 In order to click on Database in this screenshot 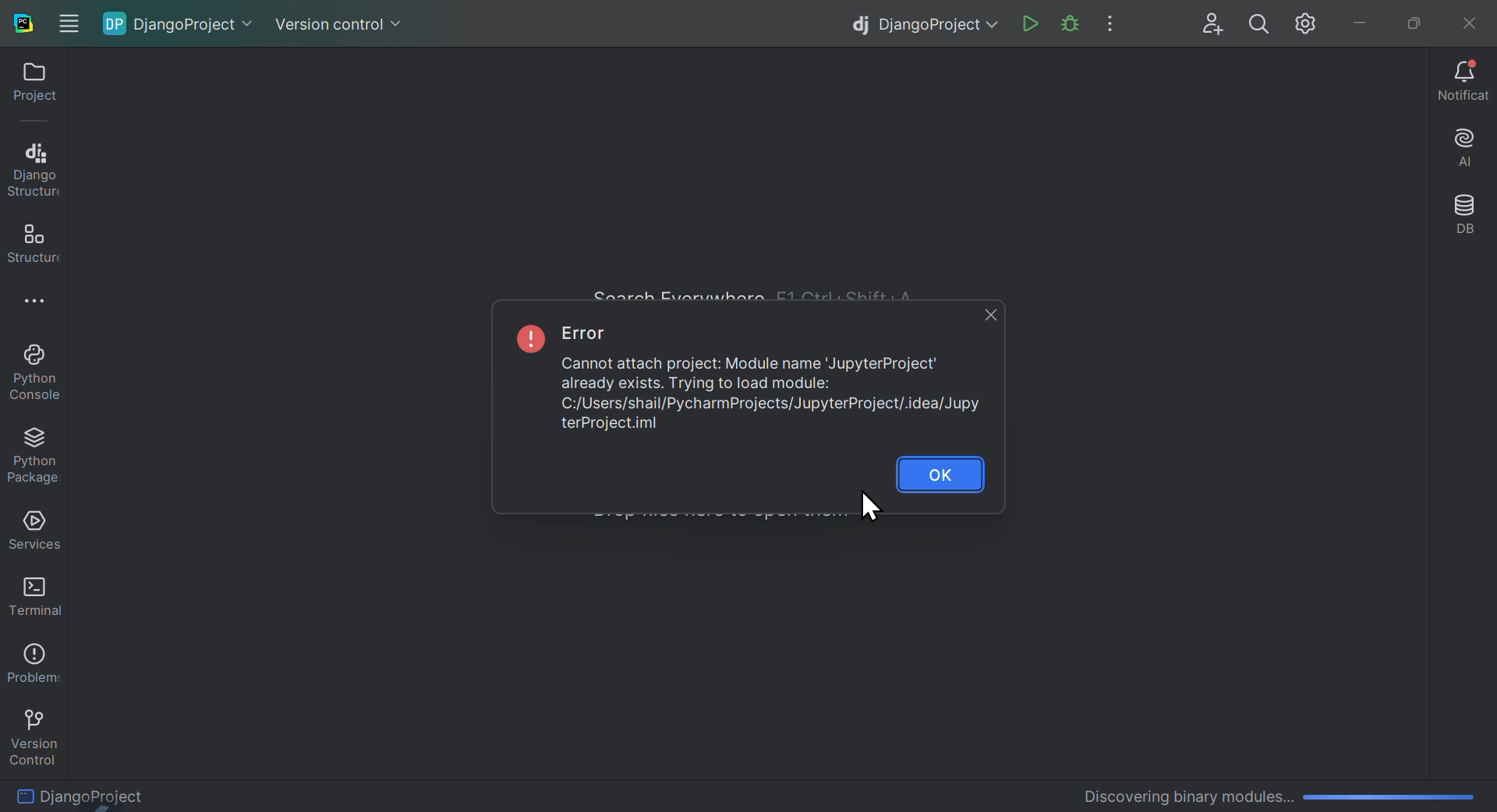, I will do `click(1464, 217)`.